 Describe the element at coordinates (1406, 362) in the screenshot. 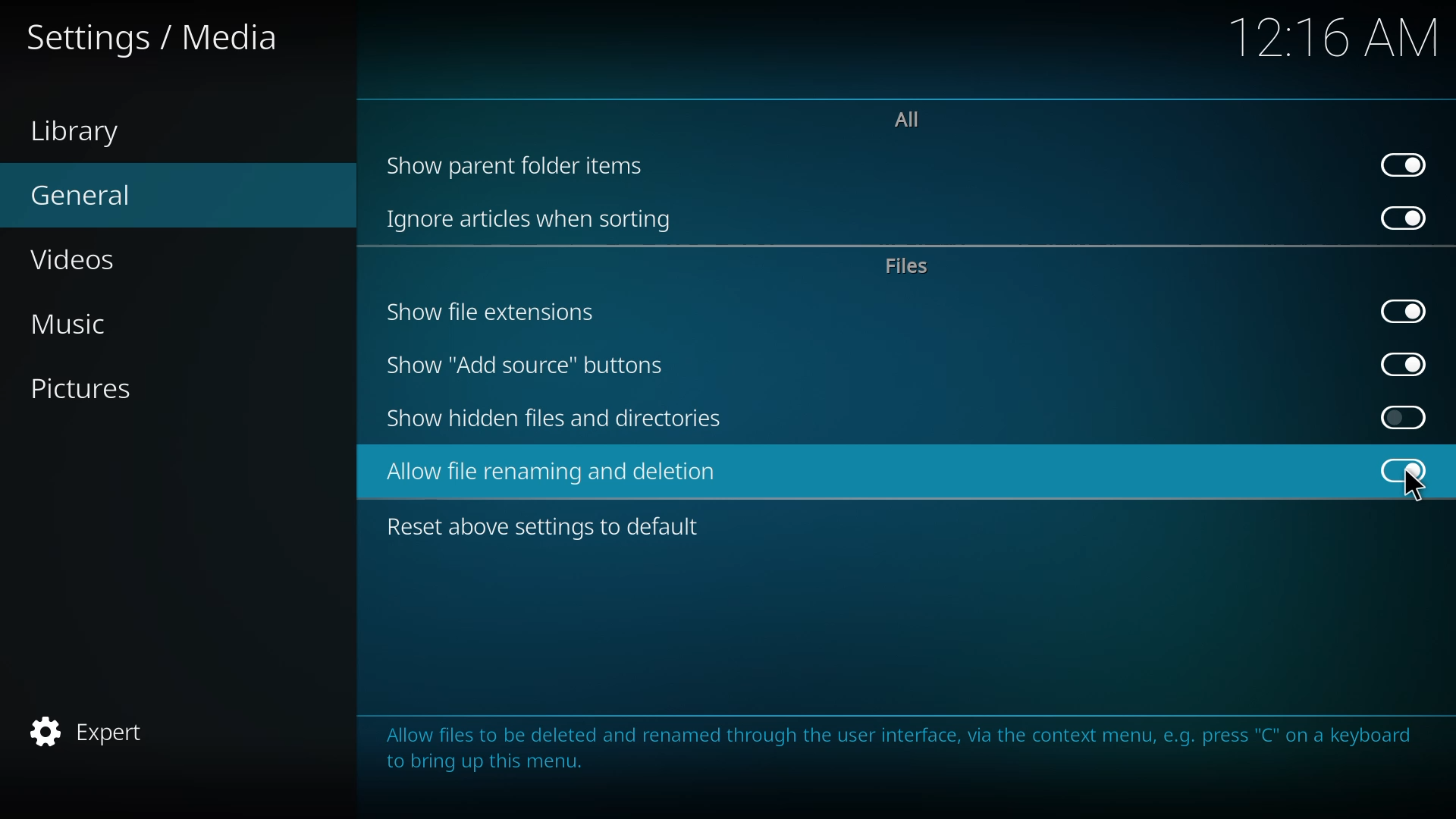

I see `enabled` at that location.